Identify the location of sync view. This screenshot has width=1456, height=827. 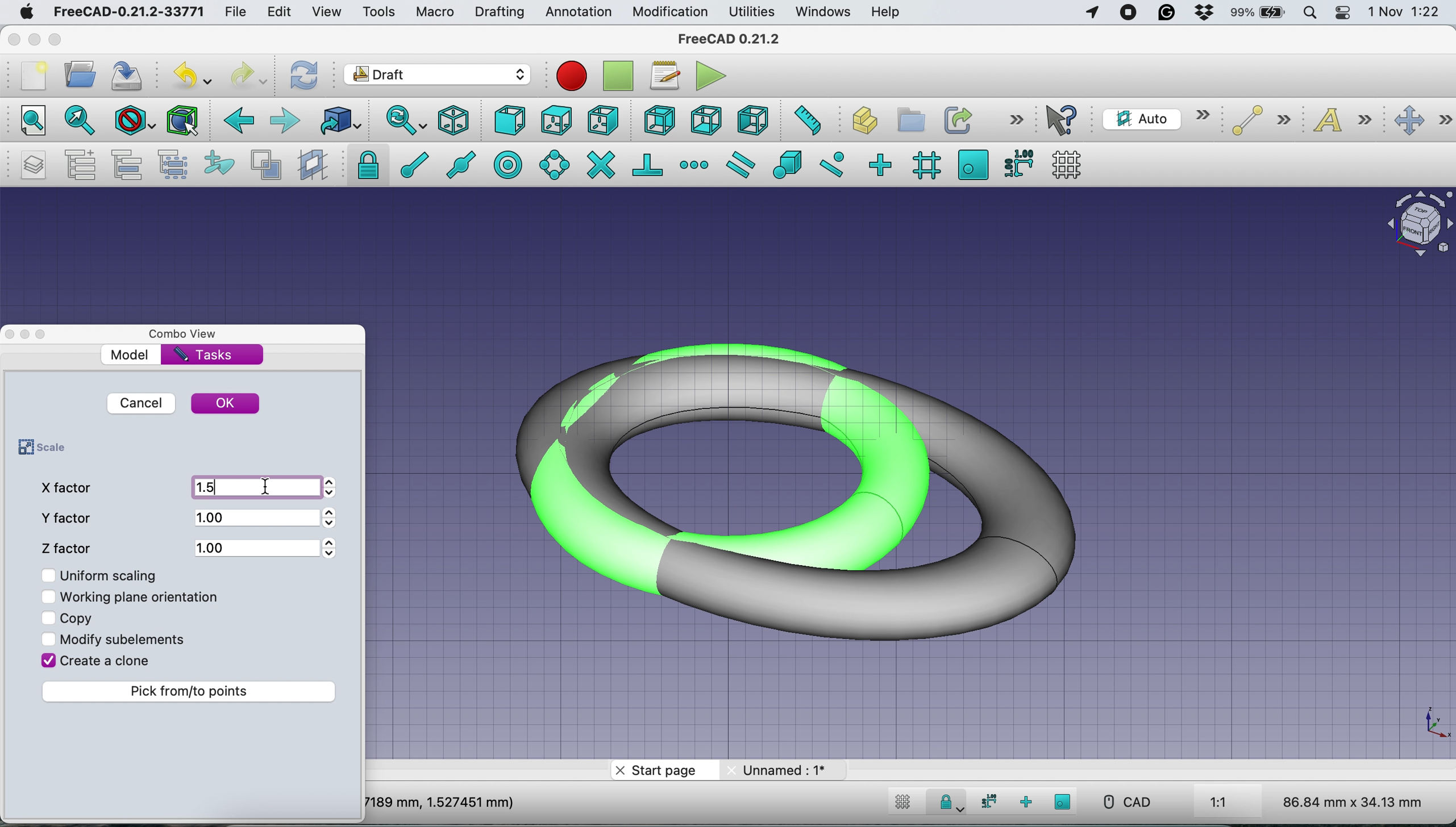
(405, 120).